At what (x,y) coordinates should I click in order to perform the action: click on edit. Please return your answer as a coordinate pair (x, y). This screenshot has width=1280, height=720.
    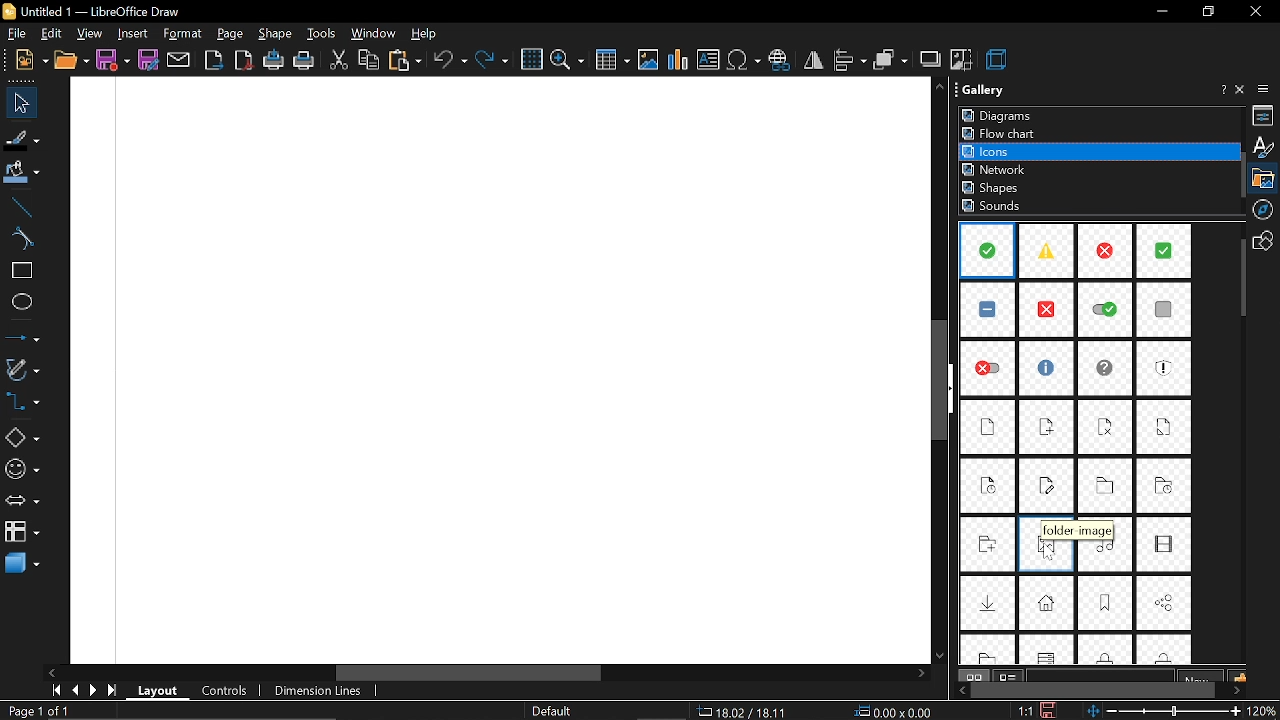
    Looking at the image, I should click on (54, 34).